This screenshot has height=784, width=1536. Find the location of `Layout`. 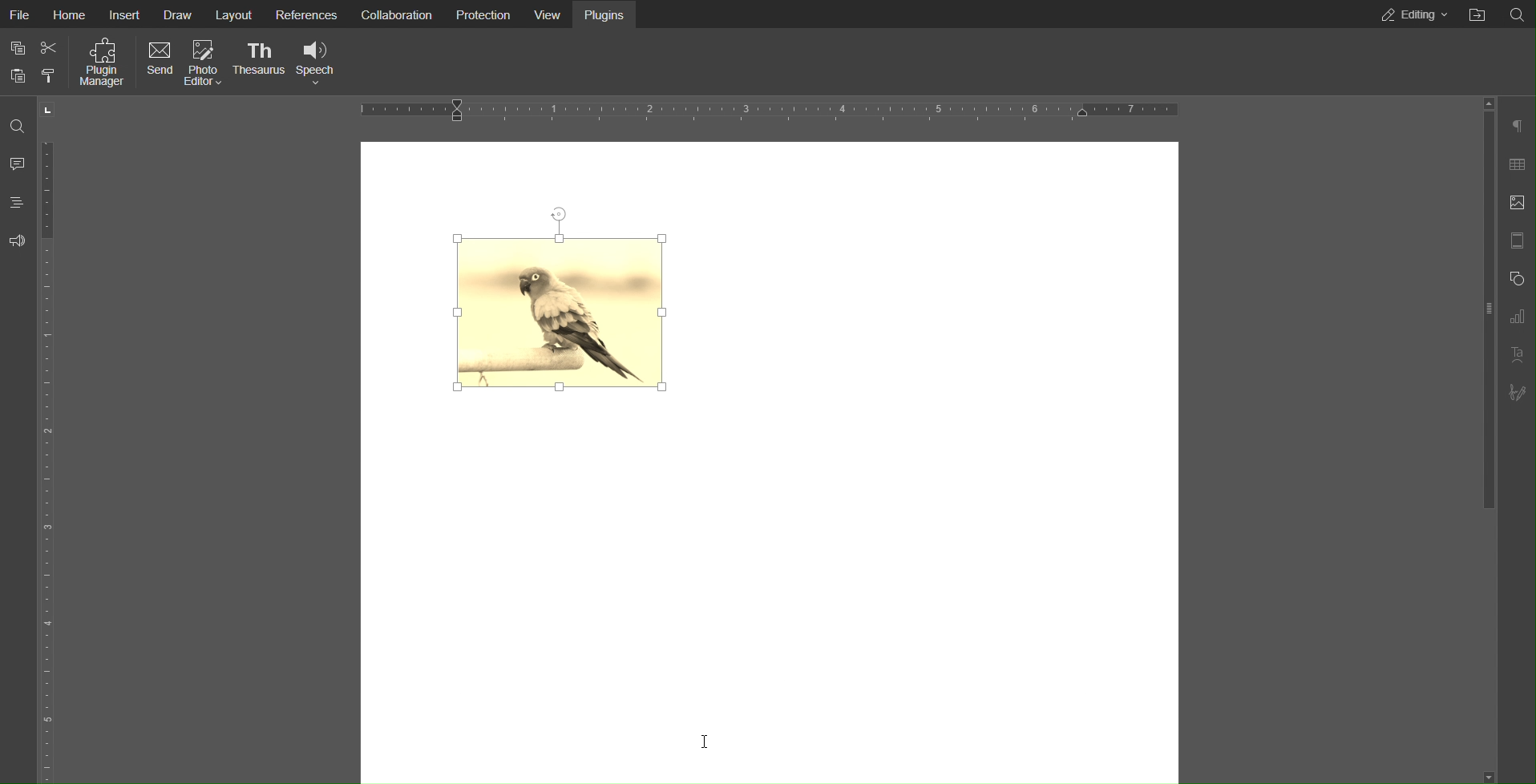

Layout is located at coordinates (234, 14).